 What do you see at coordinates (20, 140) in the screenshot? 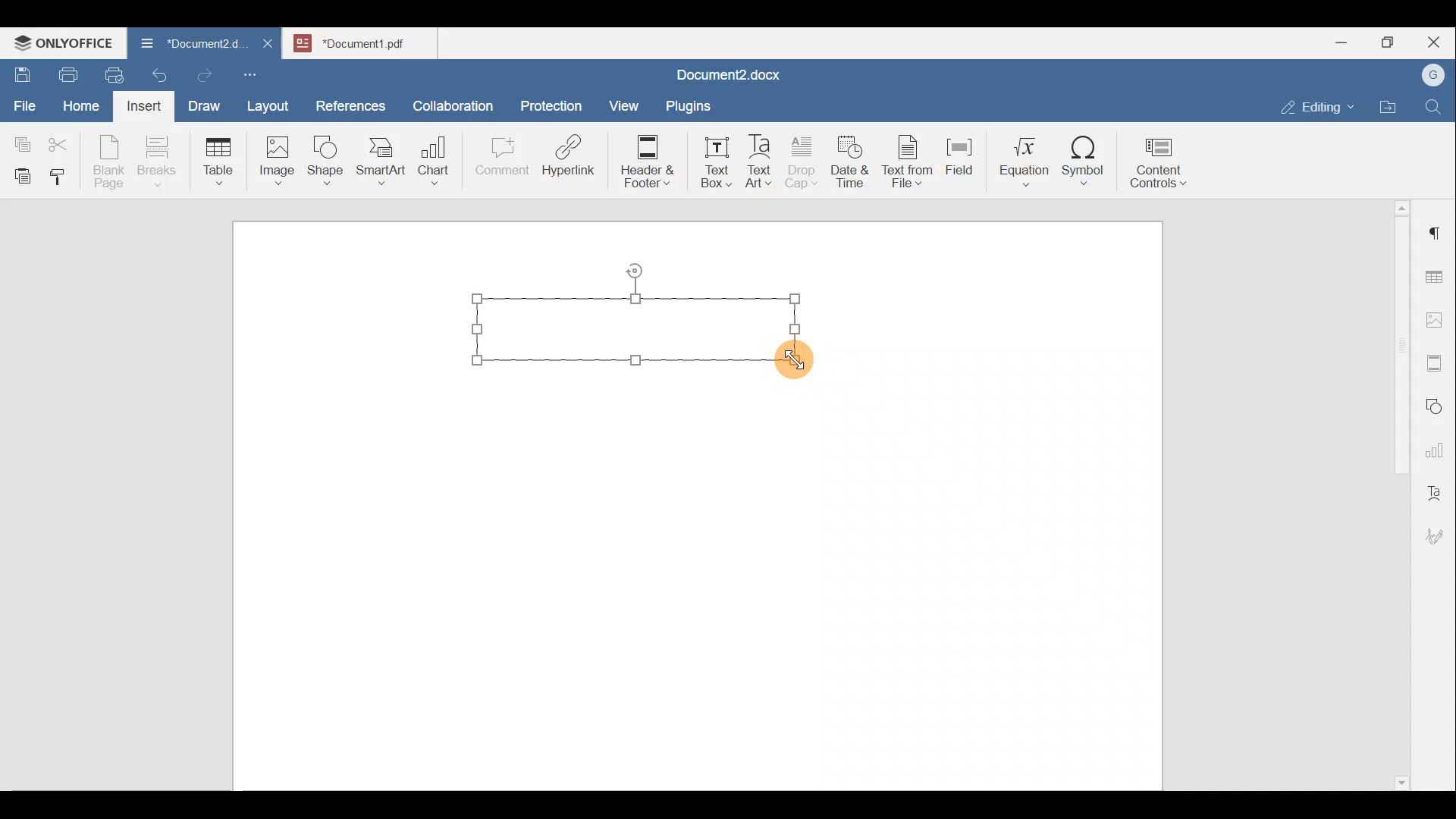
I see `Copy` at bounding box center [20, 140].